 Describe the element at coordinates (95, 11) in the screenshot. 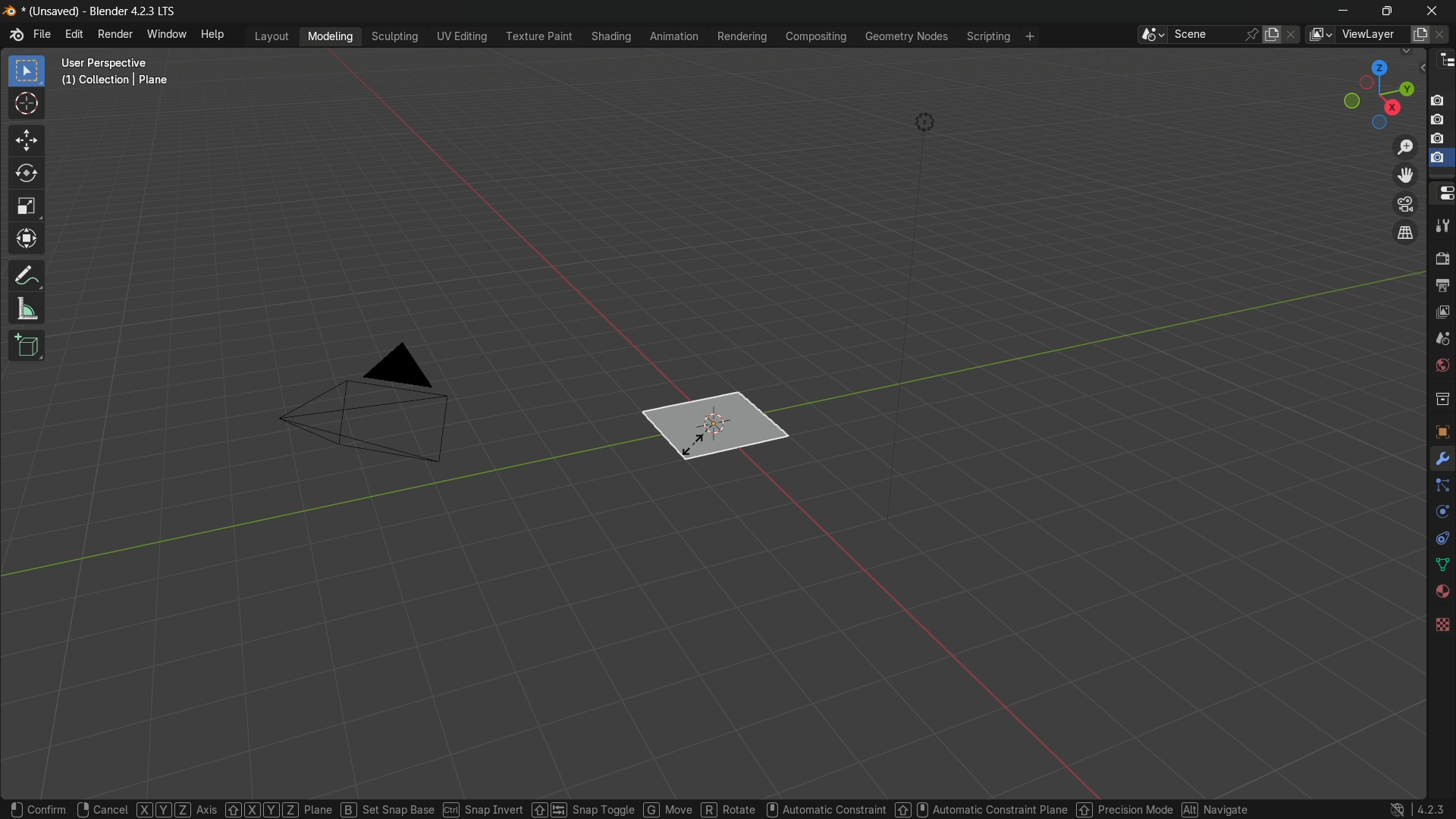

I see `unsaved blender 4.2.3 LTS` at that location.